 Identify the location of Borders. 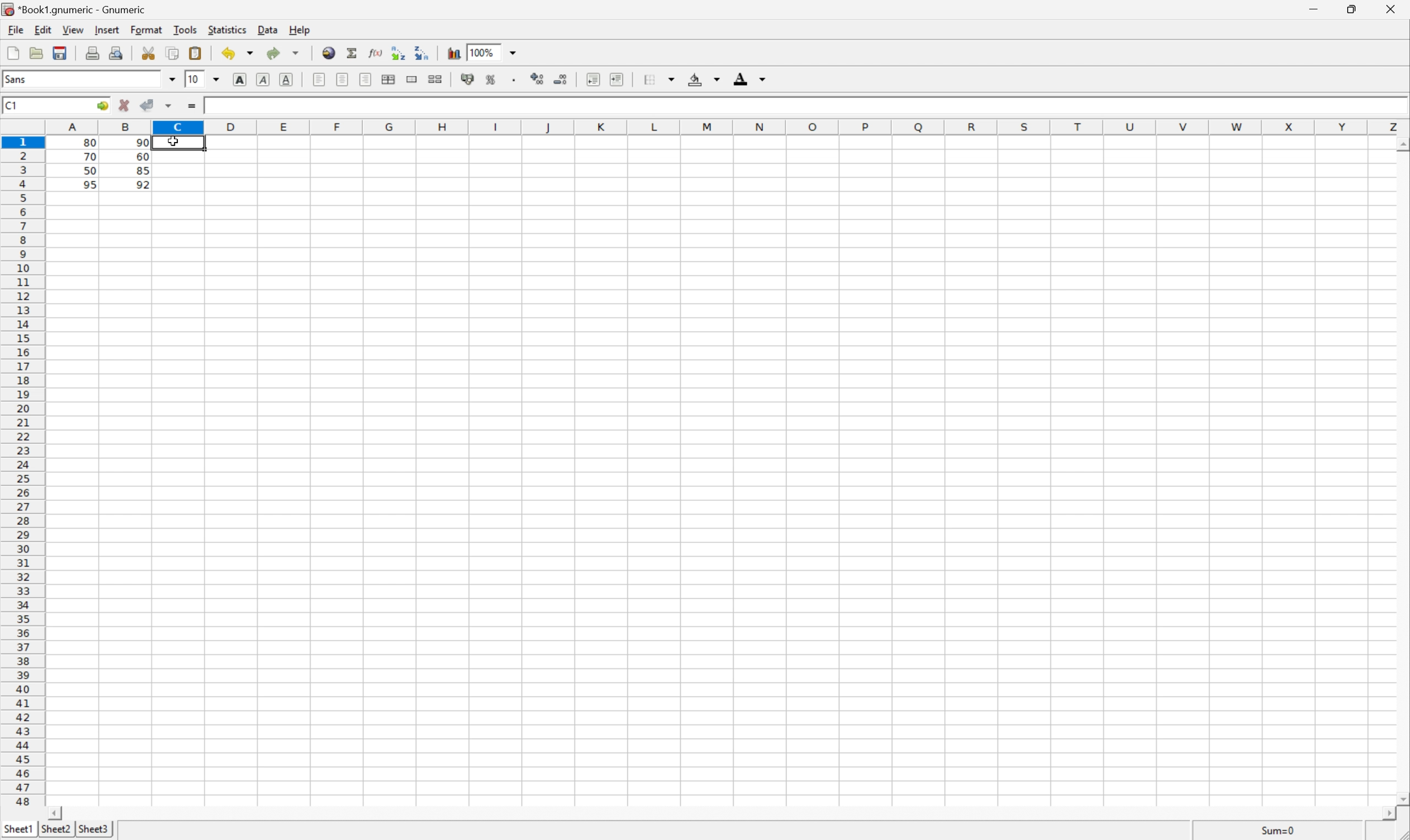
(659, 76).